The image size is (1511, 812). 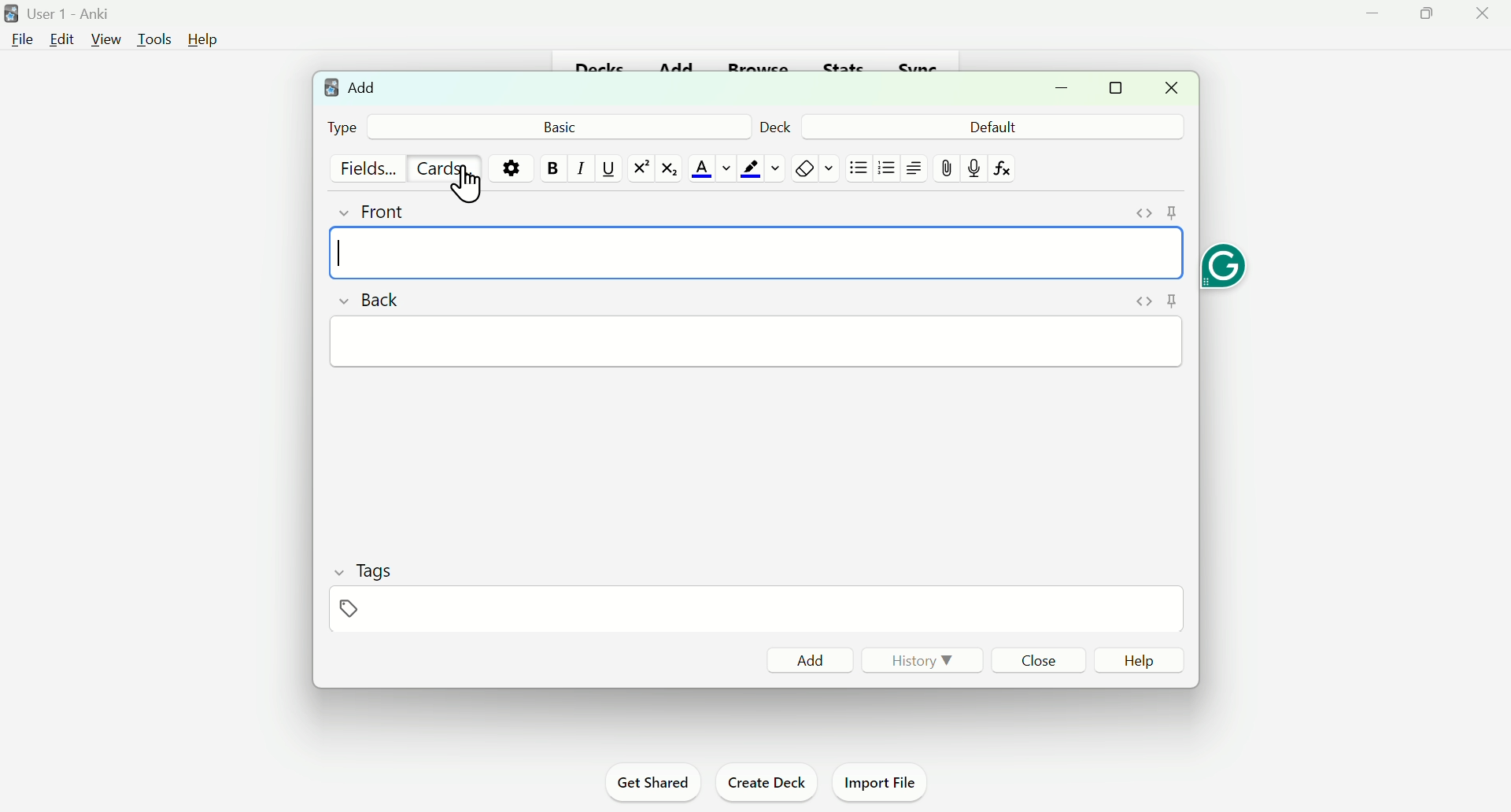 What do you see at coordinates (757, 252) in the screenshot?
I see `type space` at bounding box center [757, 252].